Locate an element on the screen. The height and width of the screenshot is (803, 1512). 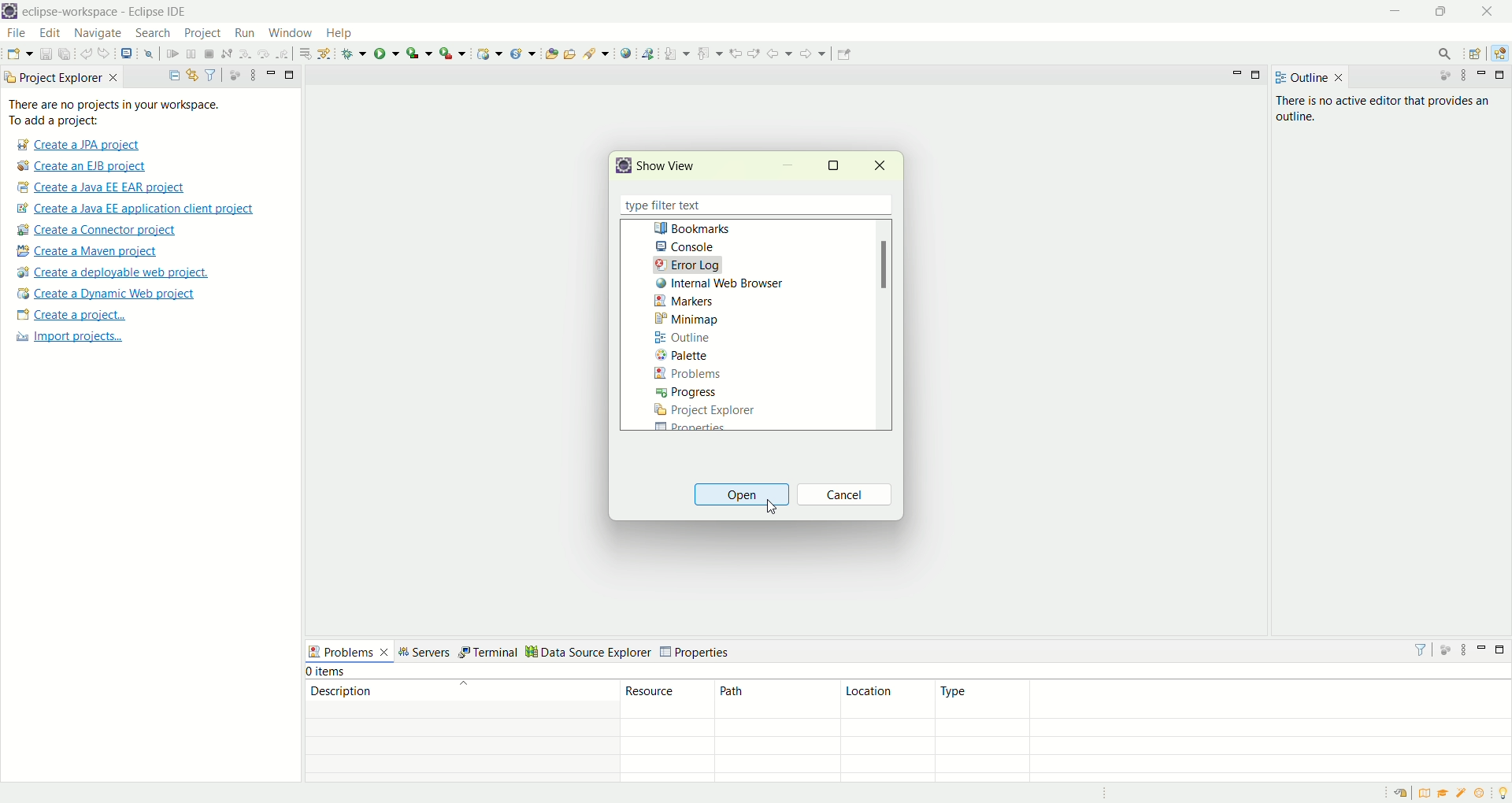
step over is located at coordinates (261, 54).